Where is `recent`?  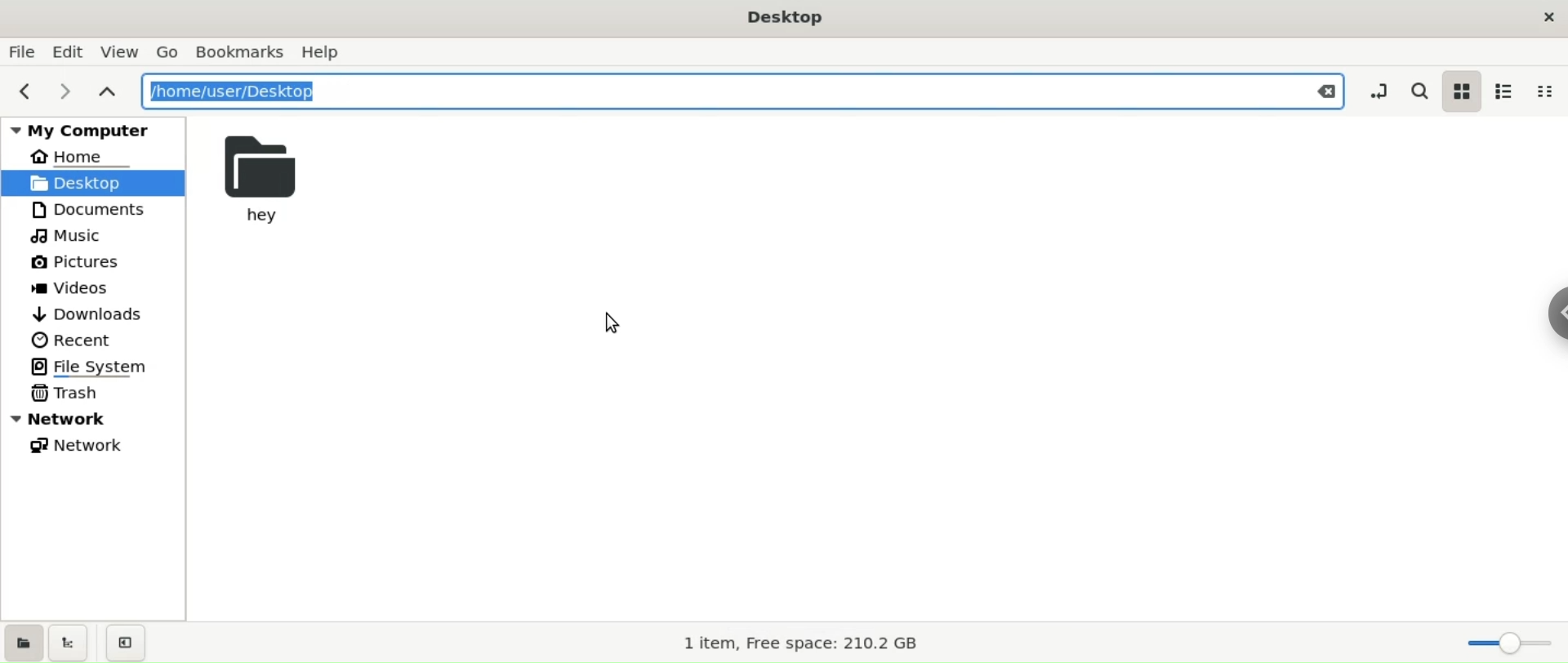
recent is located at coordinates (74, 341).